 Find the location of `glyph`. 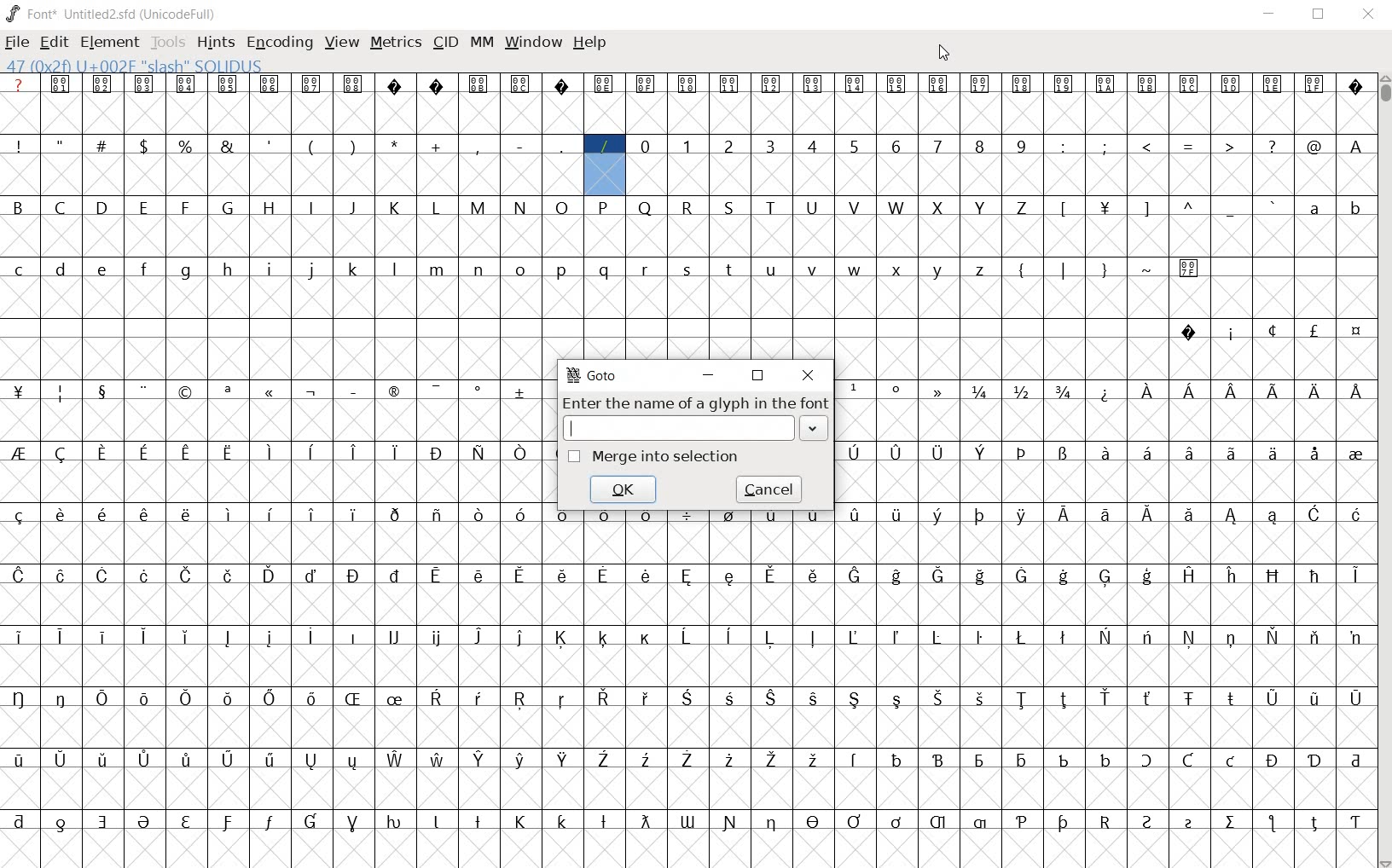

glyph is located at coordinates (855, 453).